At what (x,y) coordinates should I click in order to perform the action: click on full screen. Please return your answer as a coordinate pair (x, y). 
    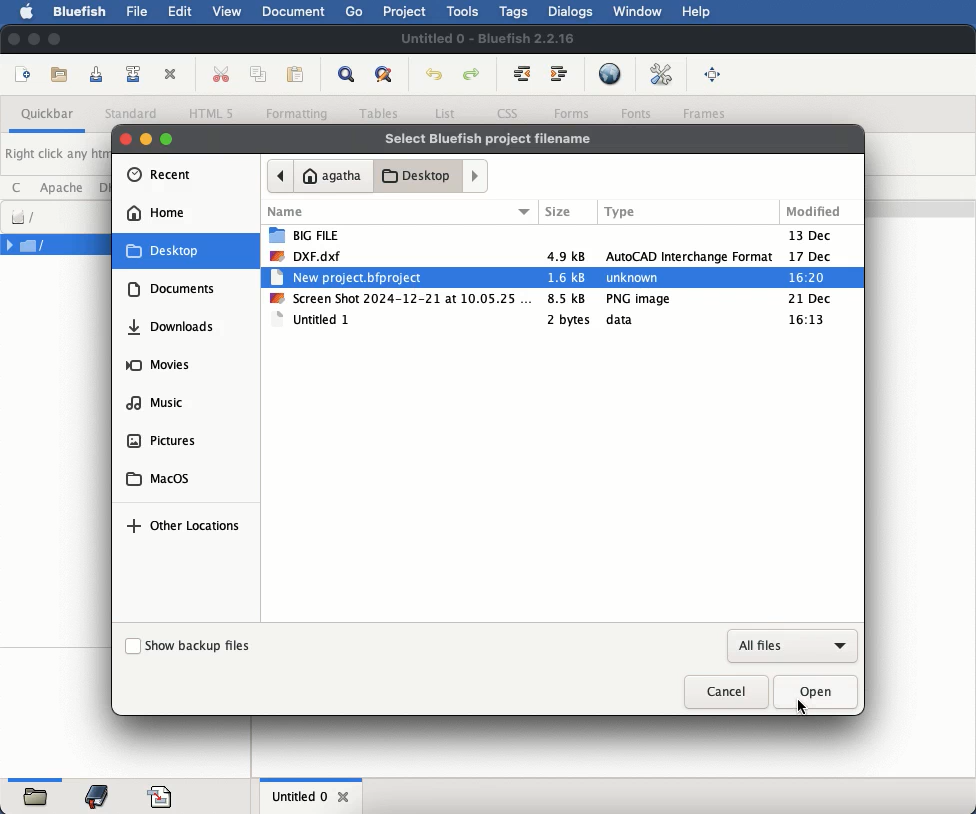
    Looking at the image, I should click on (714, 73).